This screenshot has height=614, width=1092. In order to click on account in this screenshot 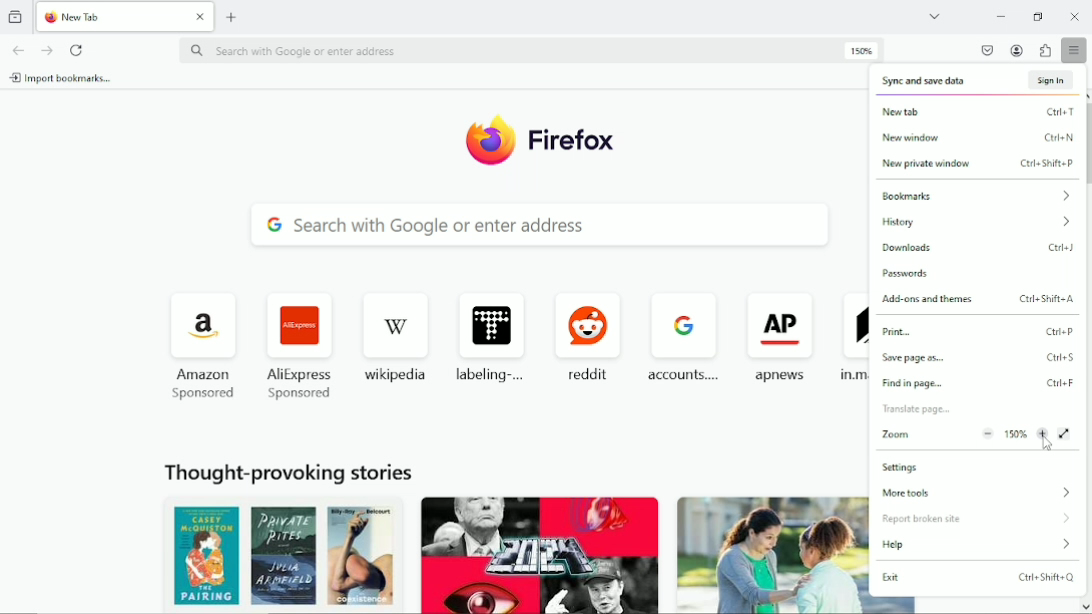, I will do `click(1017, 50)`.